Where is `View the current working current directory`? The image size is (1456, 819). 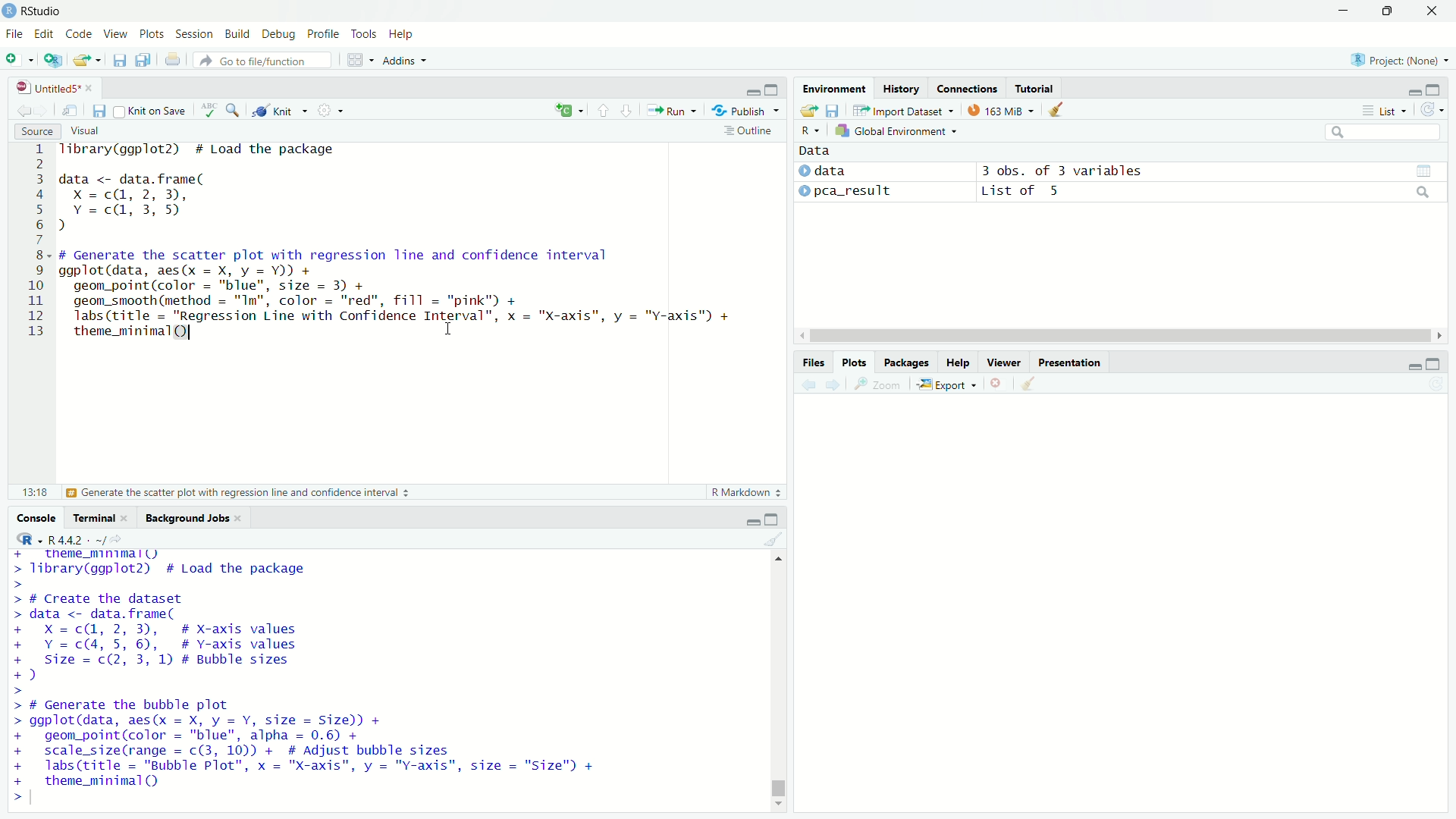
View the current working current directory is located at coordinates (115, 538).